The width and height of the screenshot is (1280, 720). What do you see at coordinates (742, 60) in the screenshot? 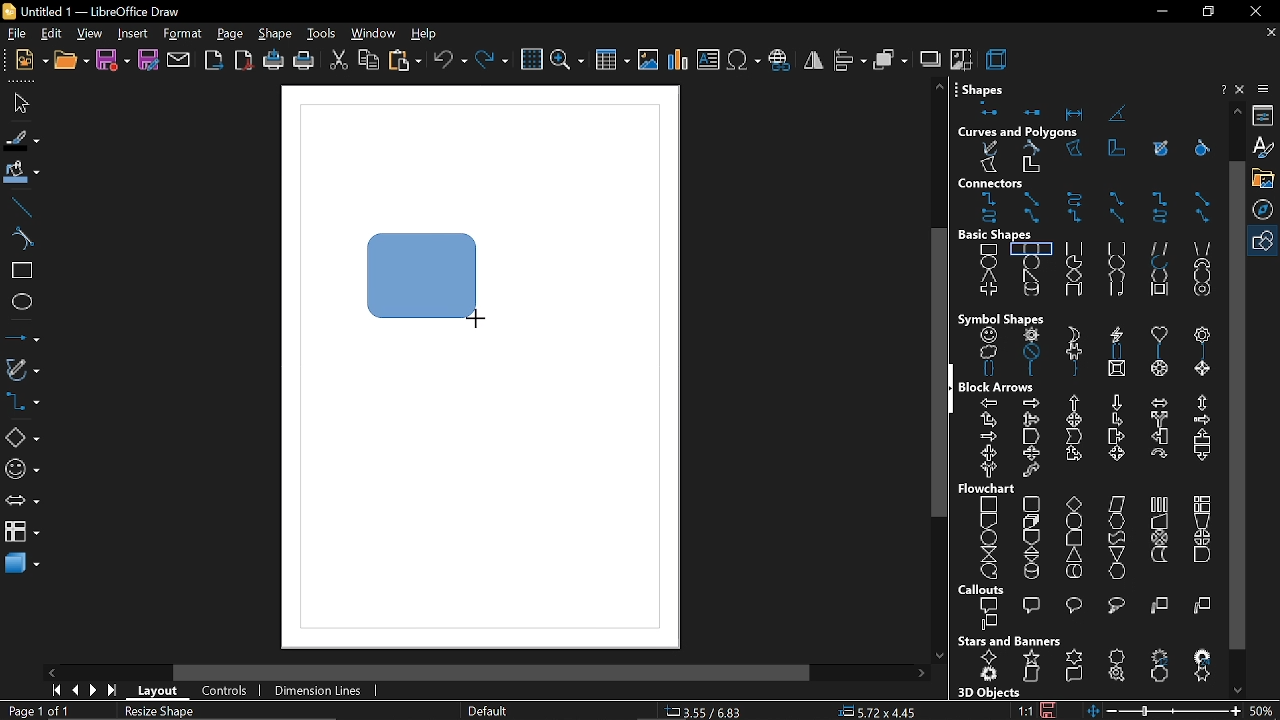
I see `insert symbol` at bounding box center [742, 60].